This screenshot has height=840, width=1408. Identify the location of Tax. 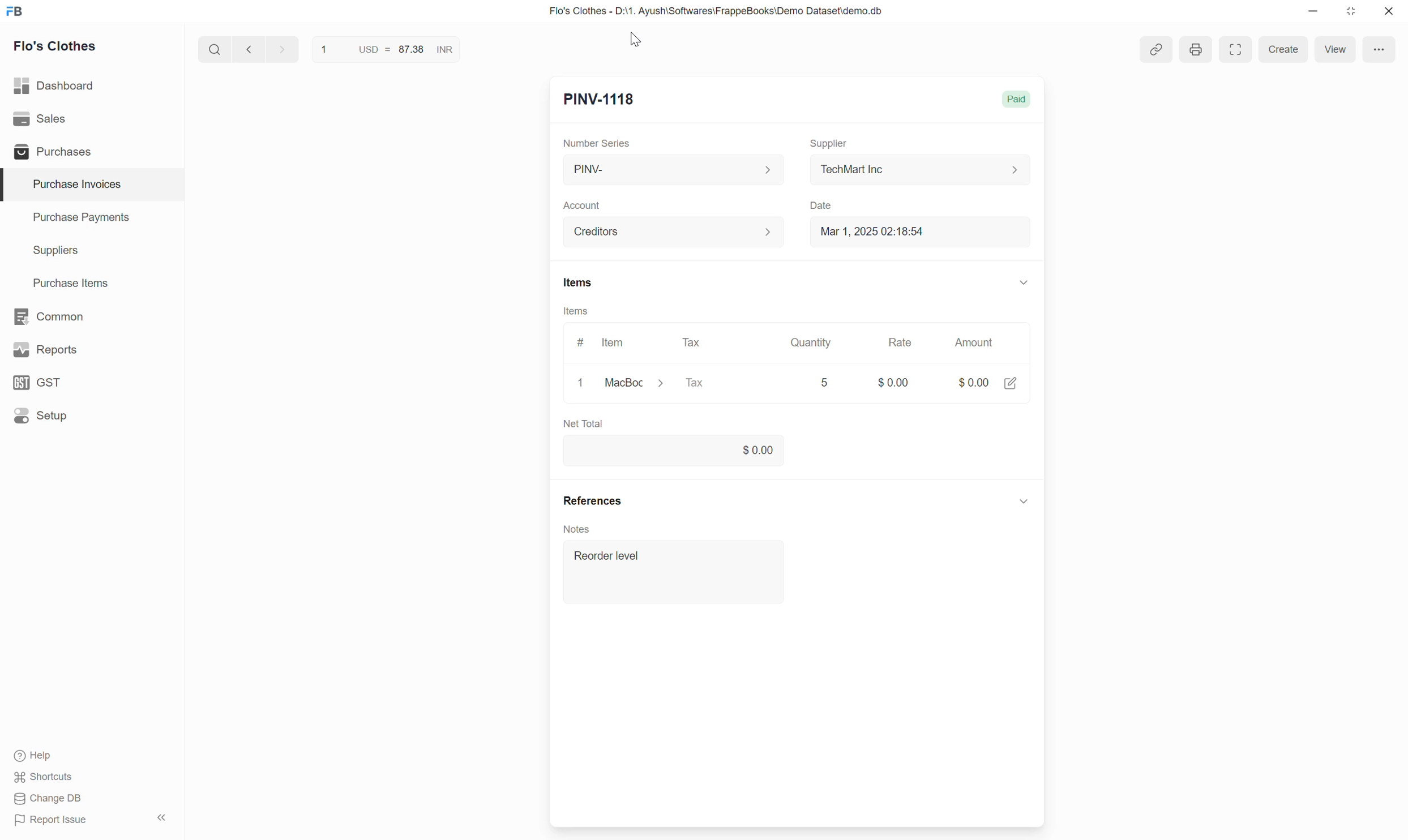
(695, 342).